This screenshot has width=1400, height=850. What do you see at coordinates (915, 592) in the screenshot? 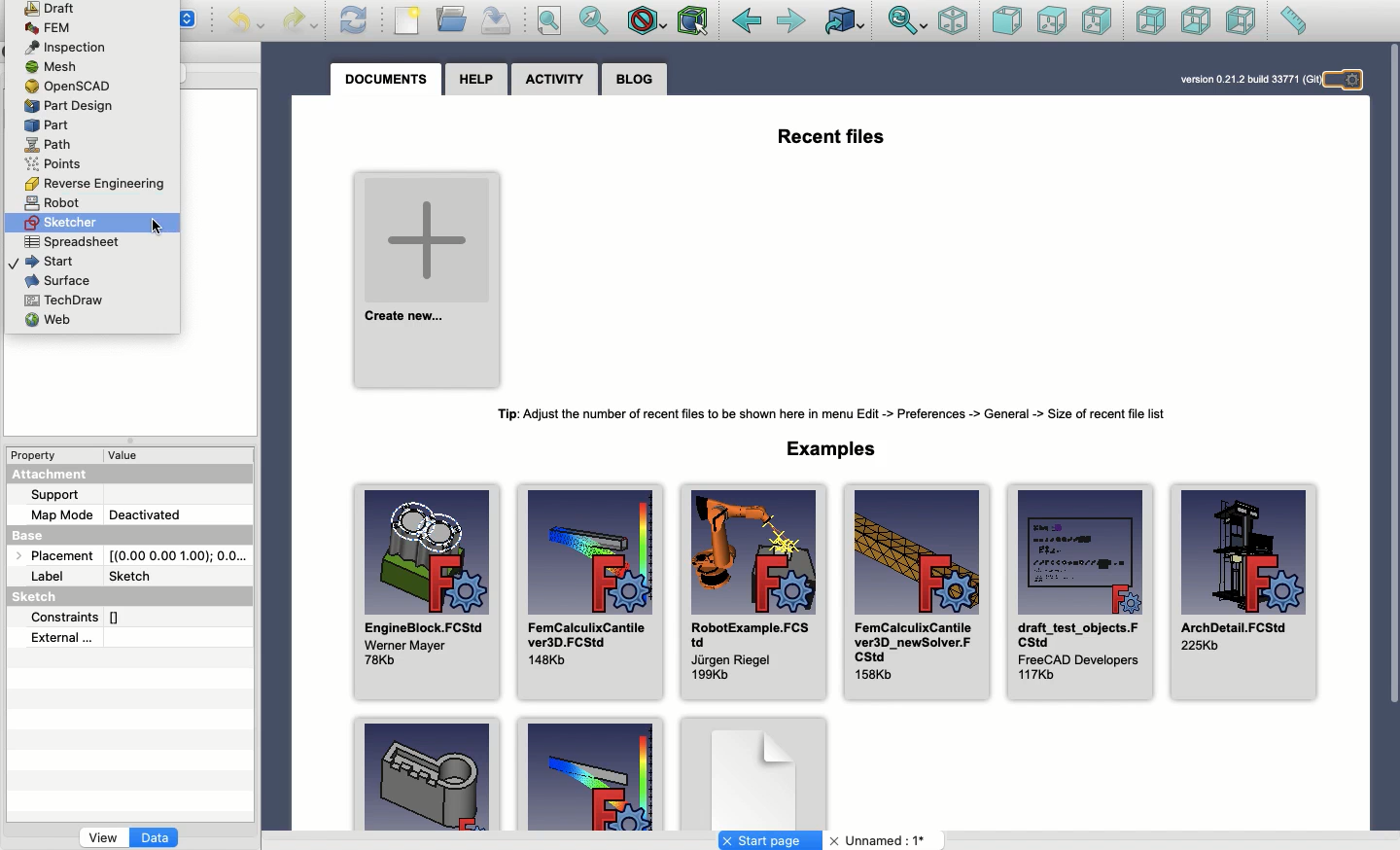
I see `FemCalculixCantile` at bounding box center [915, 592].